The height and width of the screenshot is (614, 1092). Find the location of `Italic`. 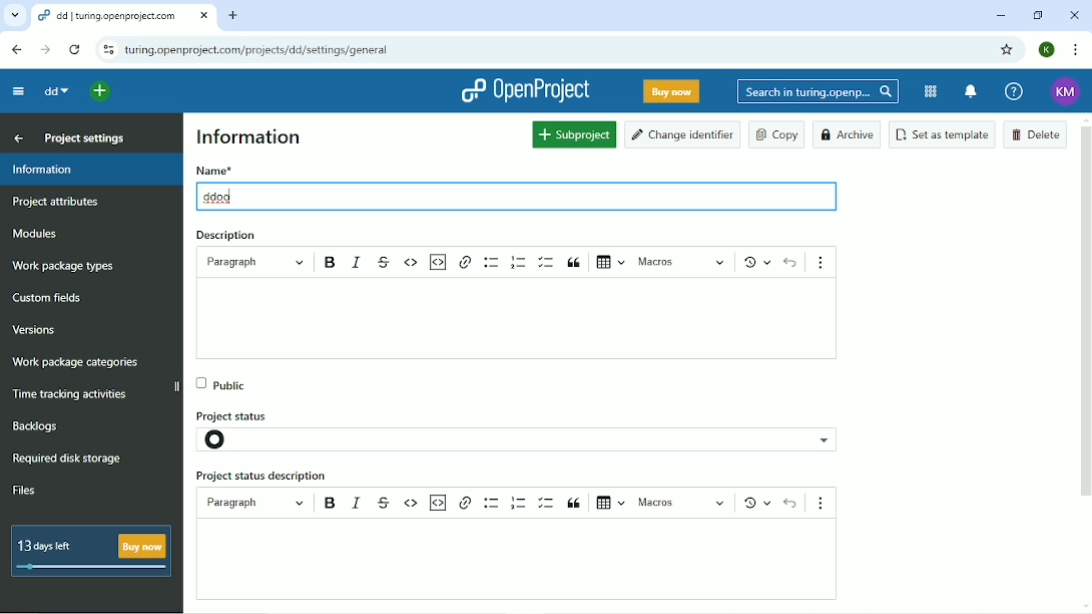

Italic is located at coordinates (357, 263).